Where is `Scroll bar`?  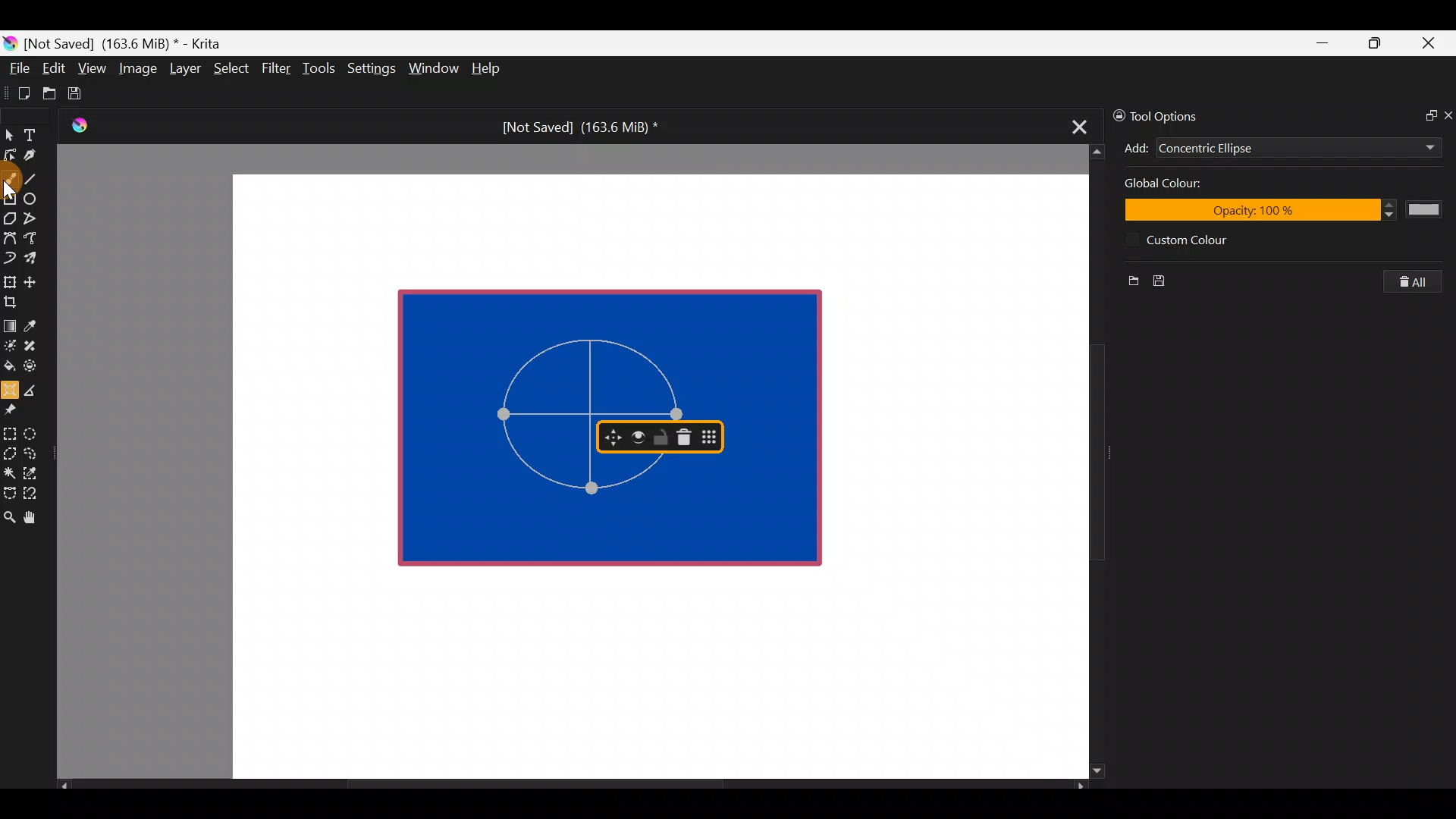
Scroll bar is located at coordinates (1087, 462).